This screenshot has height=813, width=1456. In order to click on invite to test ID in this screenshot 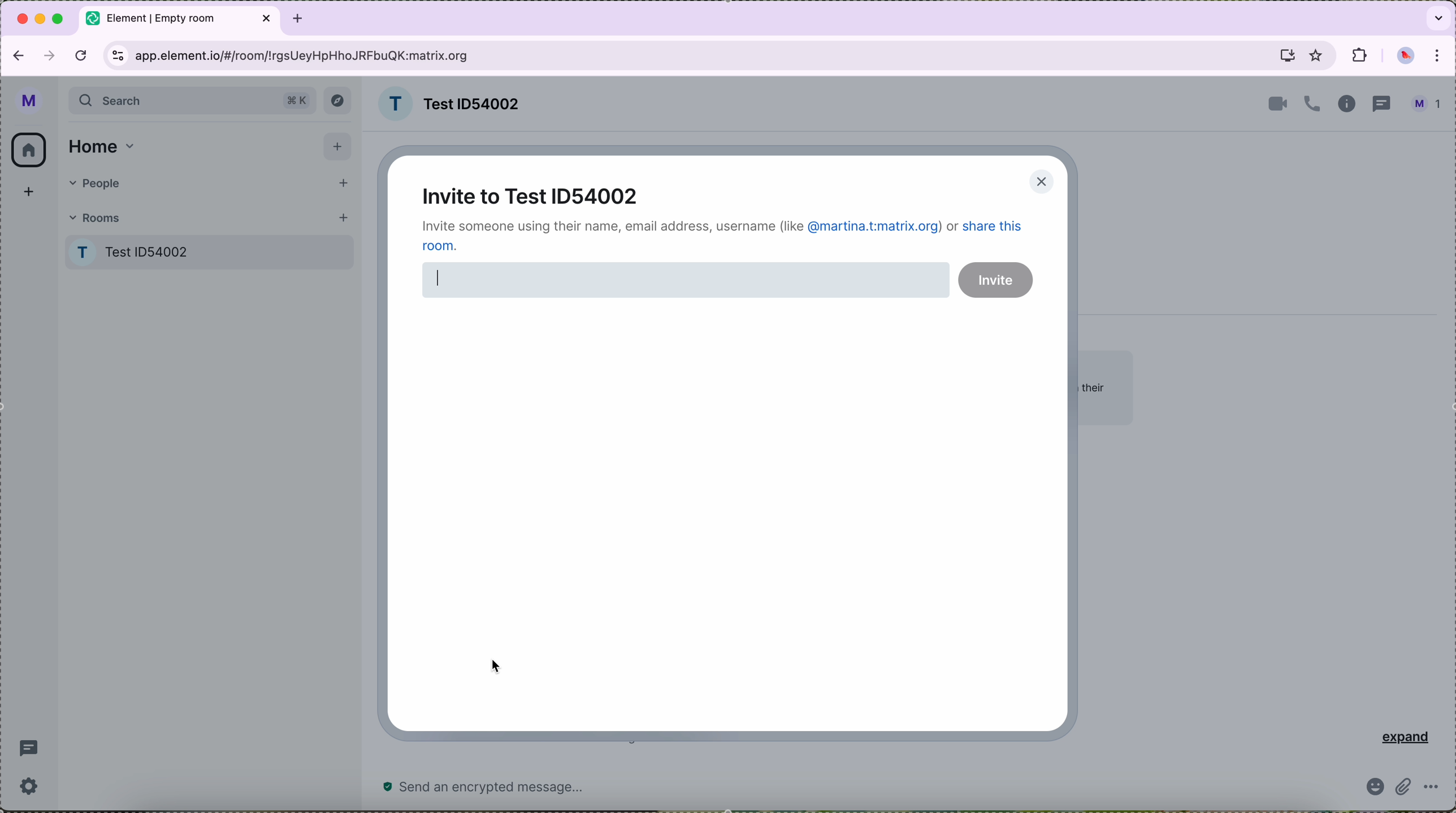, I will do `click(533, 194)`.